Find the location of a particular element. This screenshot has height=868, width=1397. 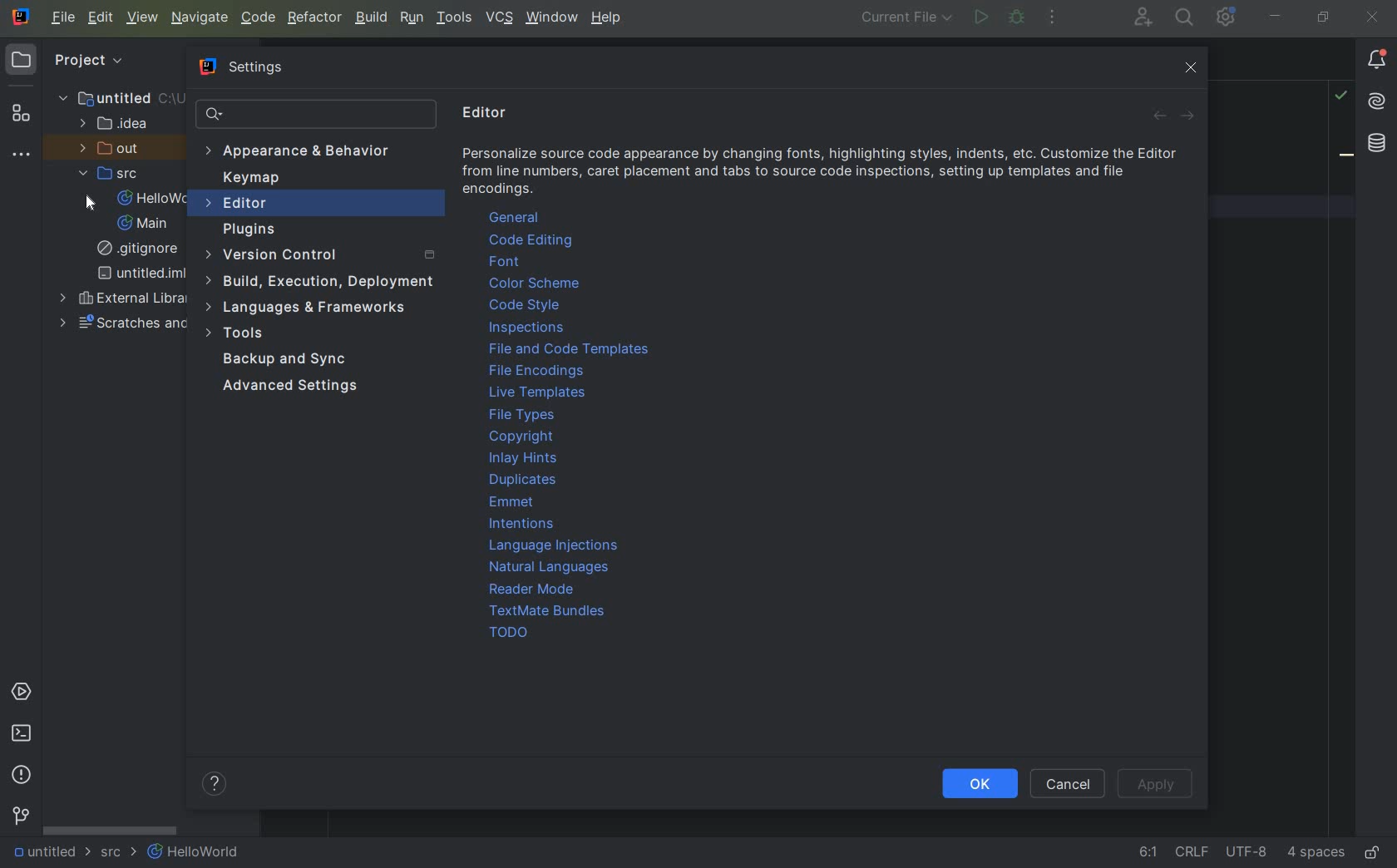

system name is located at coordinates (21, 17).